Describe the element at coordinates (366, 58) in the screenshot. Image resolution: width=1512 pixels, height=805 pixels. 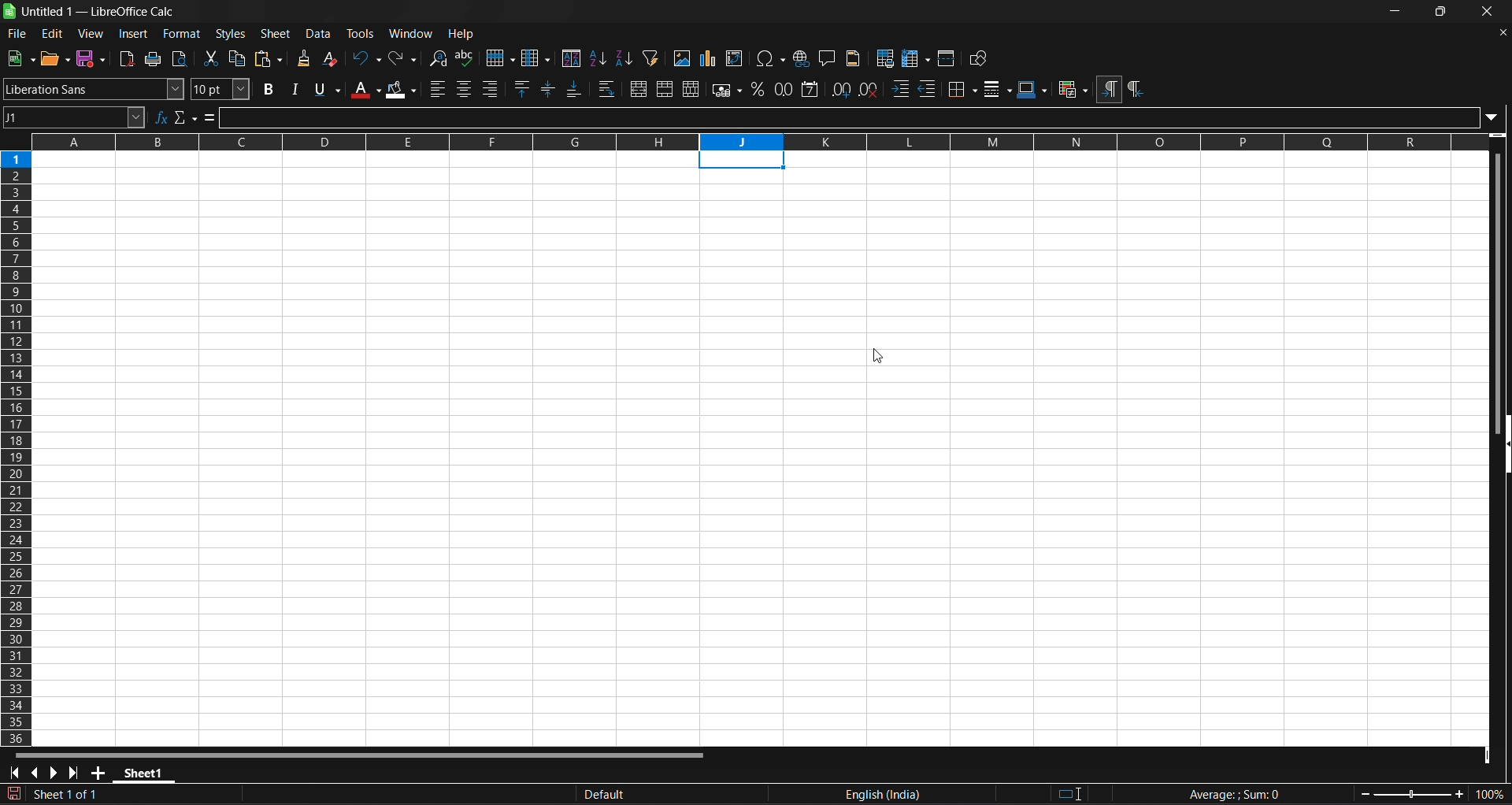
I see `undo` at that location.